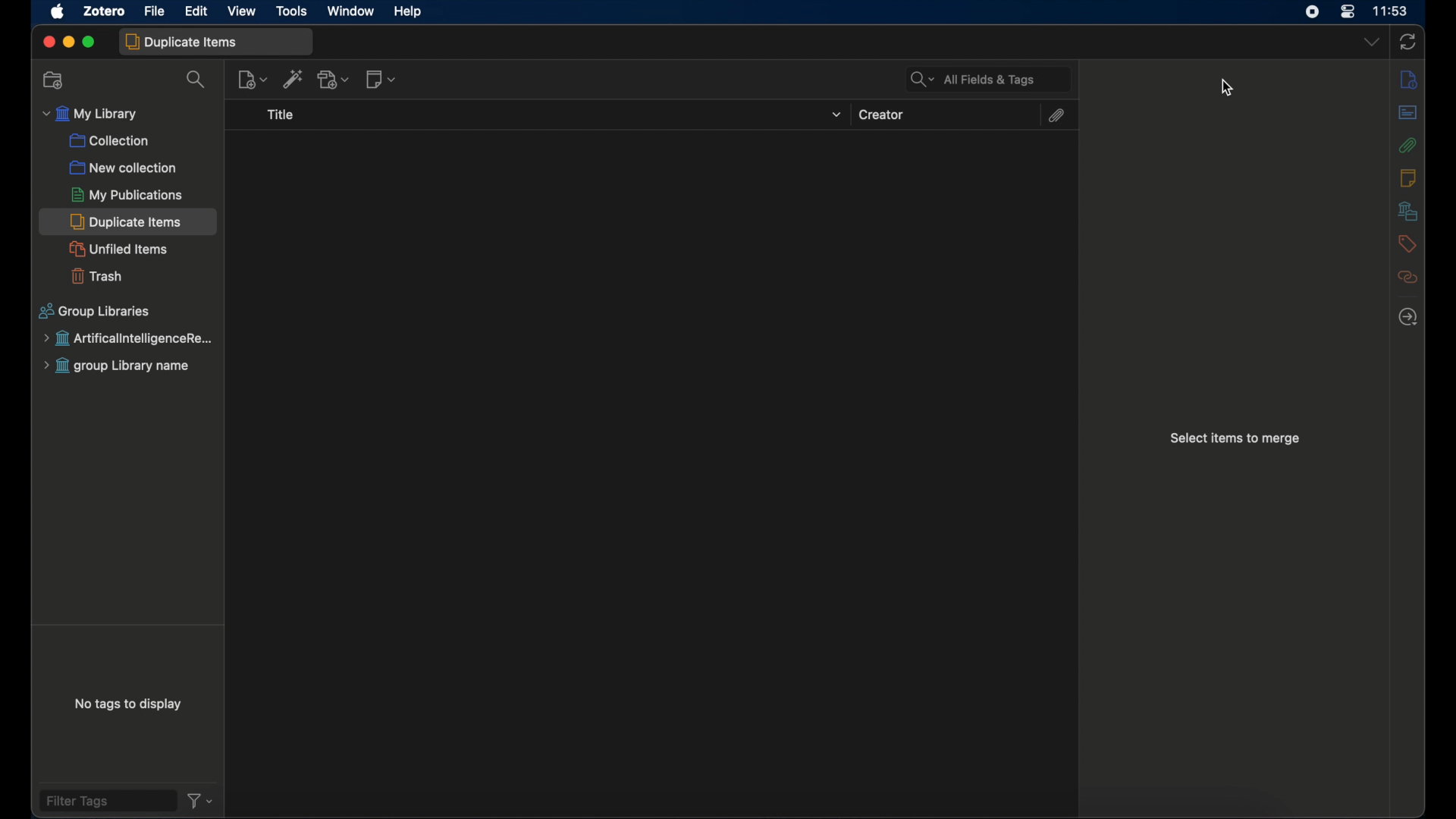  Describe the element at coordinates (334, 79) in the screenshot. I see `add attachment` at that location.